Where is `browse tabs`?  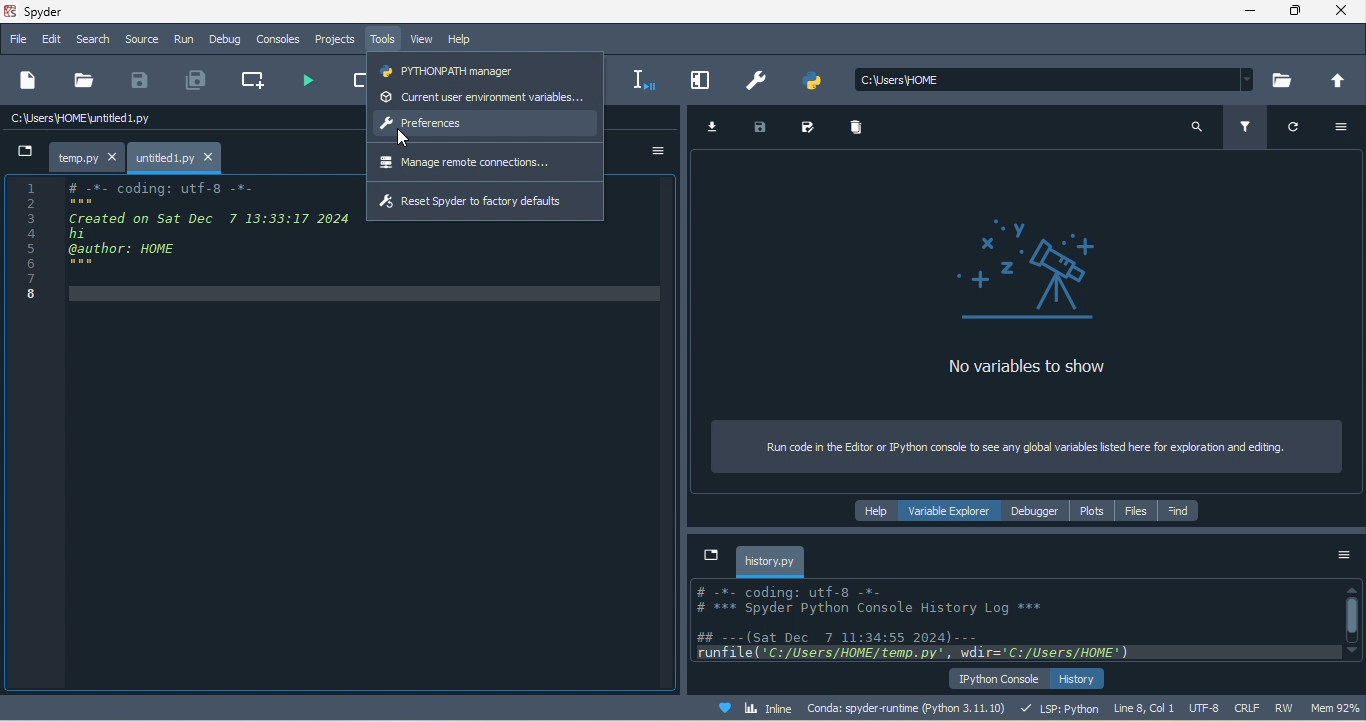
browse tabs is located at coordinates (23, 151).